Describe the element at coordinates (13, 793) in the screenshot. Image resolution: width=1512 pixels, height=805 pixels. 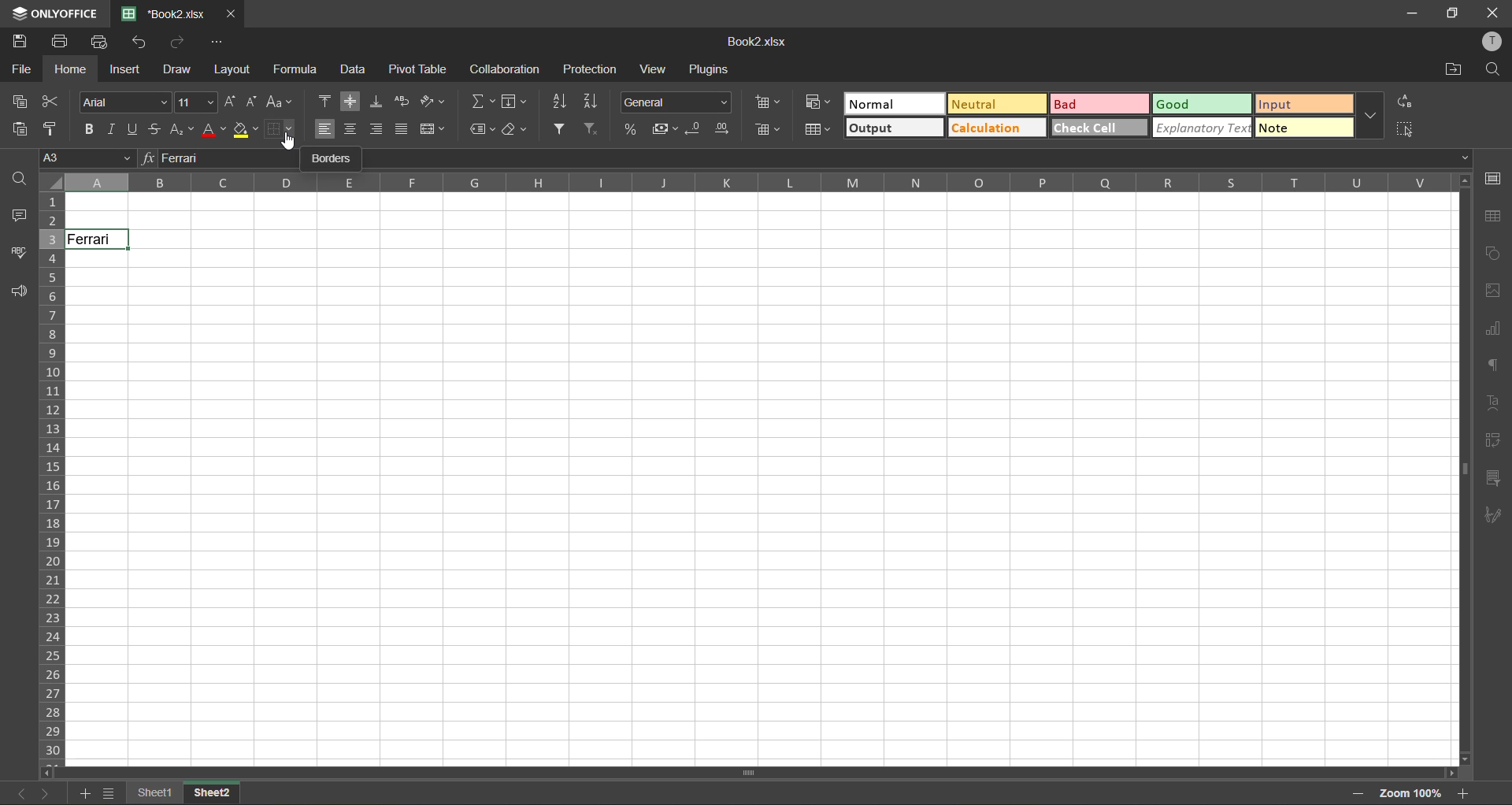
I see `previous` at that location.